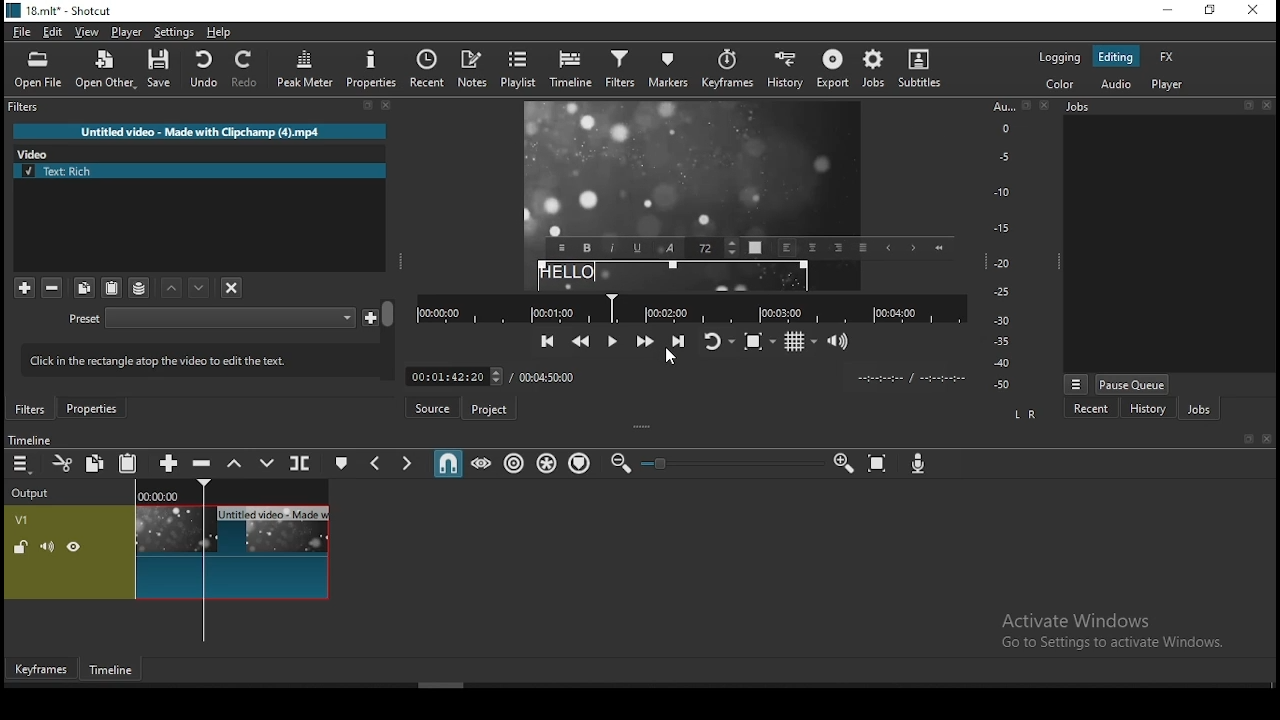  What do you see at coordinates (95, 462) in the screenshot?
I see `copy` at bounding box center [95, 462].